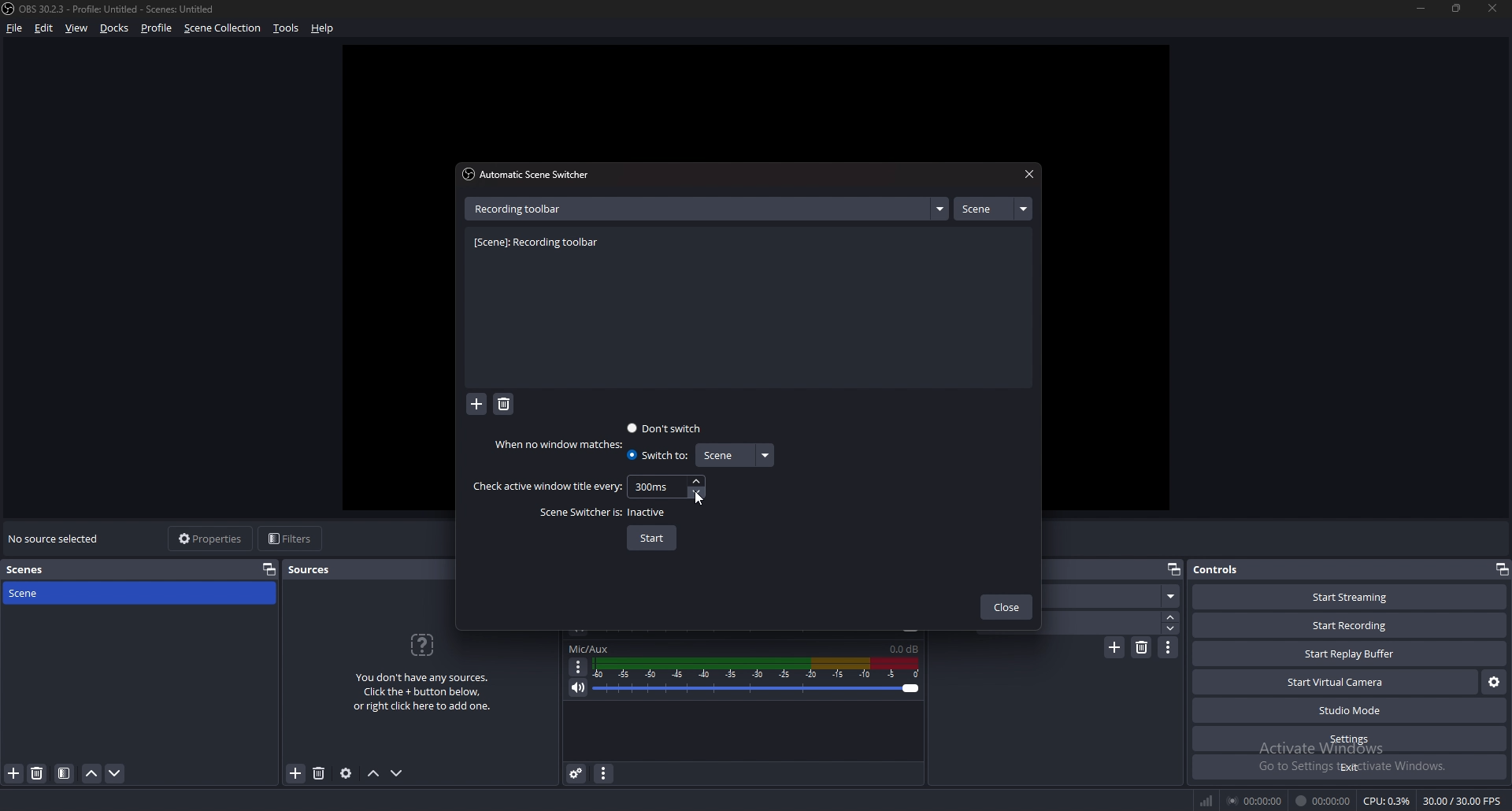 This screenshot has height=811, width=1512. What do you see at coordinates (696, 481) in the screenshot?
I see `increase time` at bounding box center [696, 481].